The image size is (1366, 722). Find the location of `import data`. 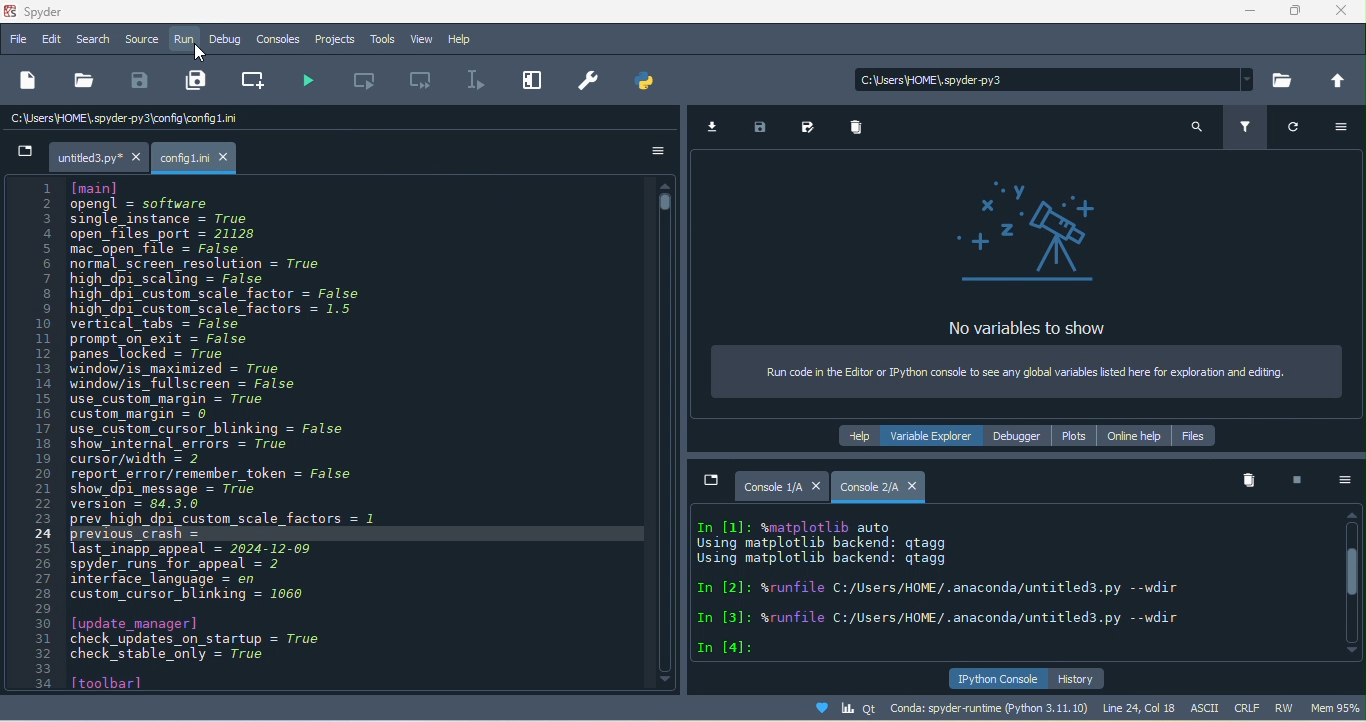

import data is located at coordinates (718, 131).